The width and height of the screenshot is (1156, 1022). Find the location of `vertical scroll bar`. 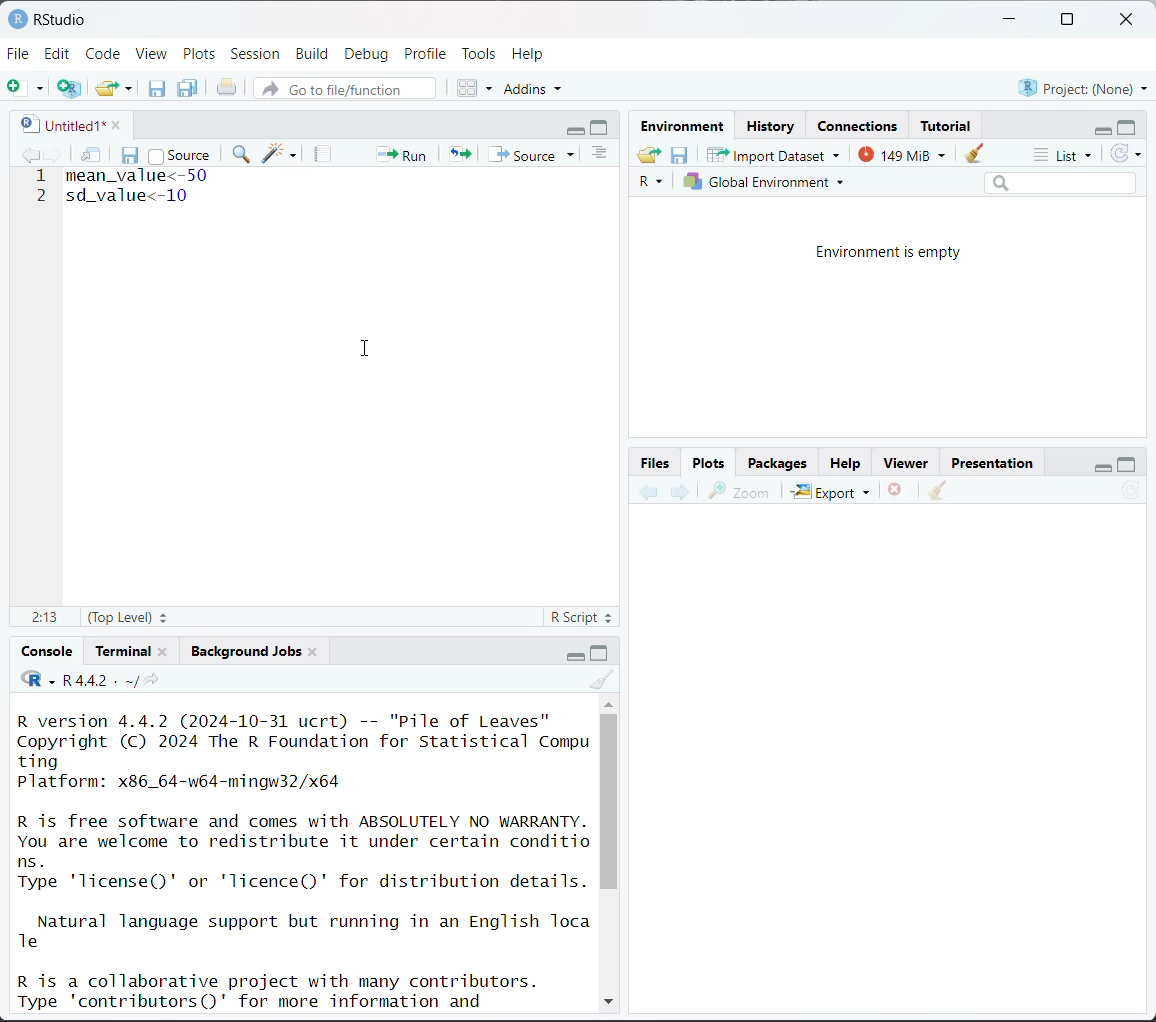

vertical scroll bar is located at coordinates (609, 801).